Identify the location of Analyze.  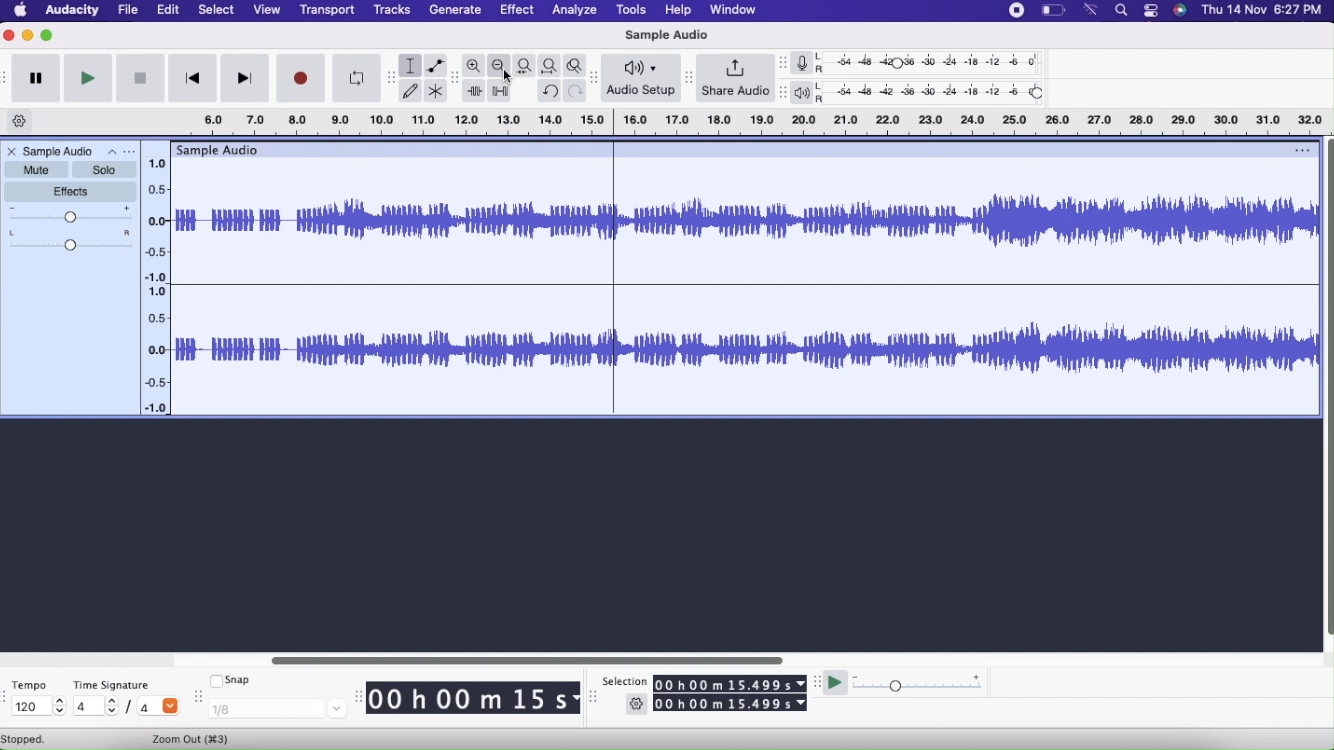
(572, 11).